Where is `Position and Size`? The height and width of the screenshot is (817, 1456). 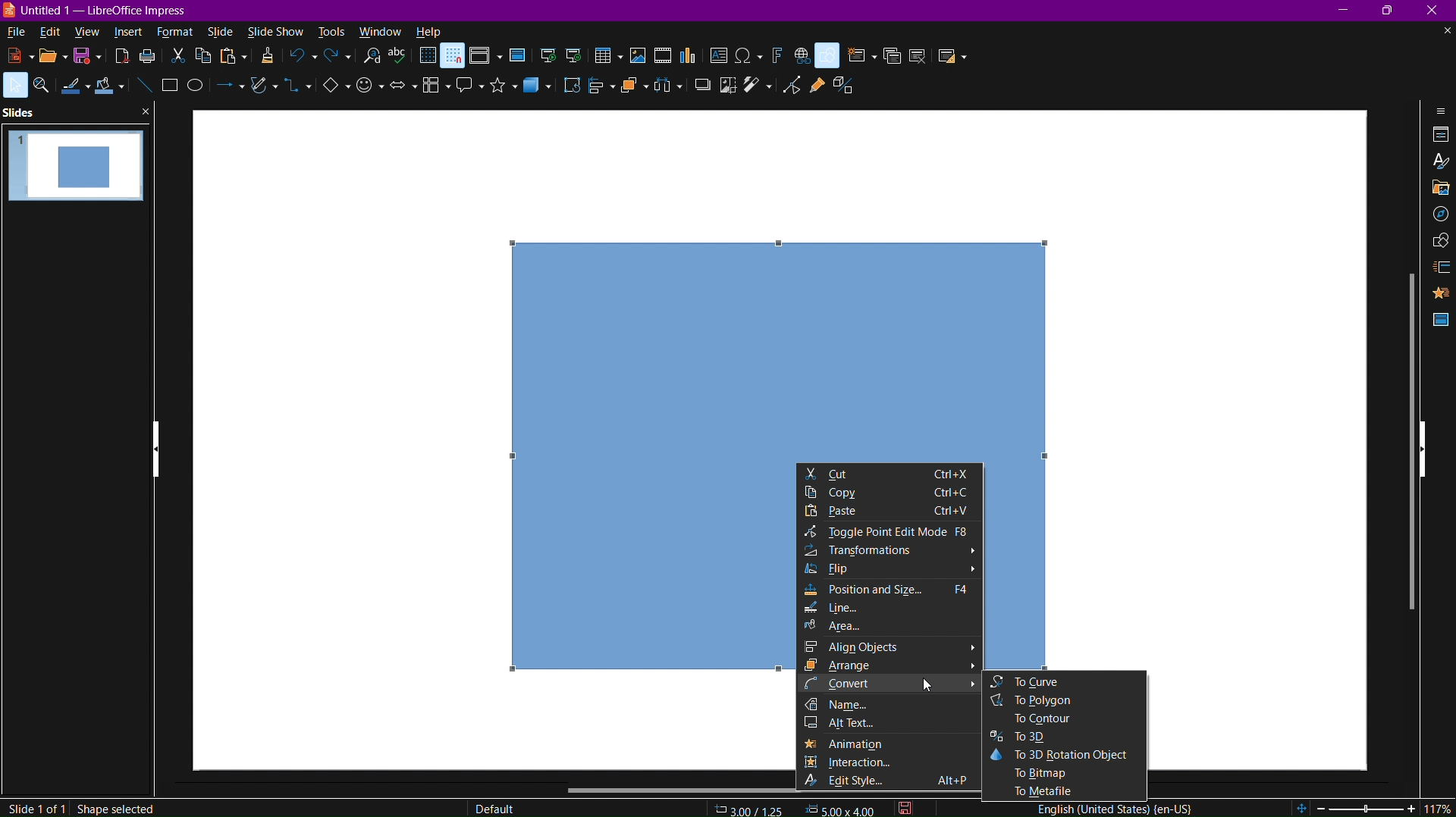
Position and Size is located at coordinates (890, 590).